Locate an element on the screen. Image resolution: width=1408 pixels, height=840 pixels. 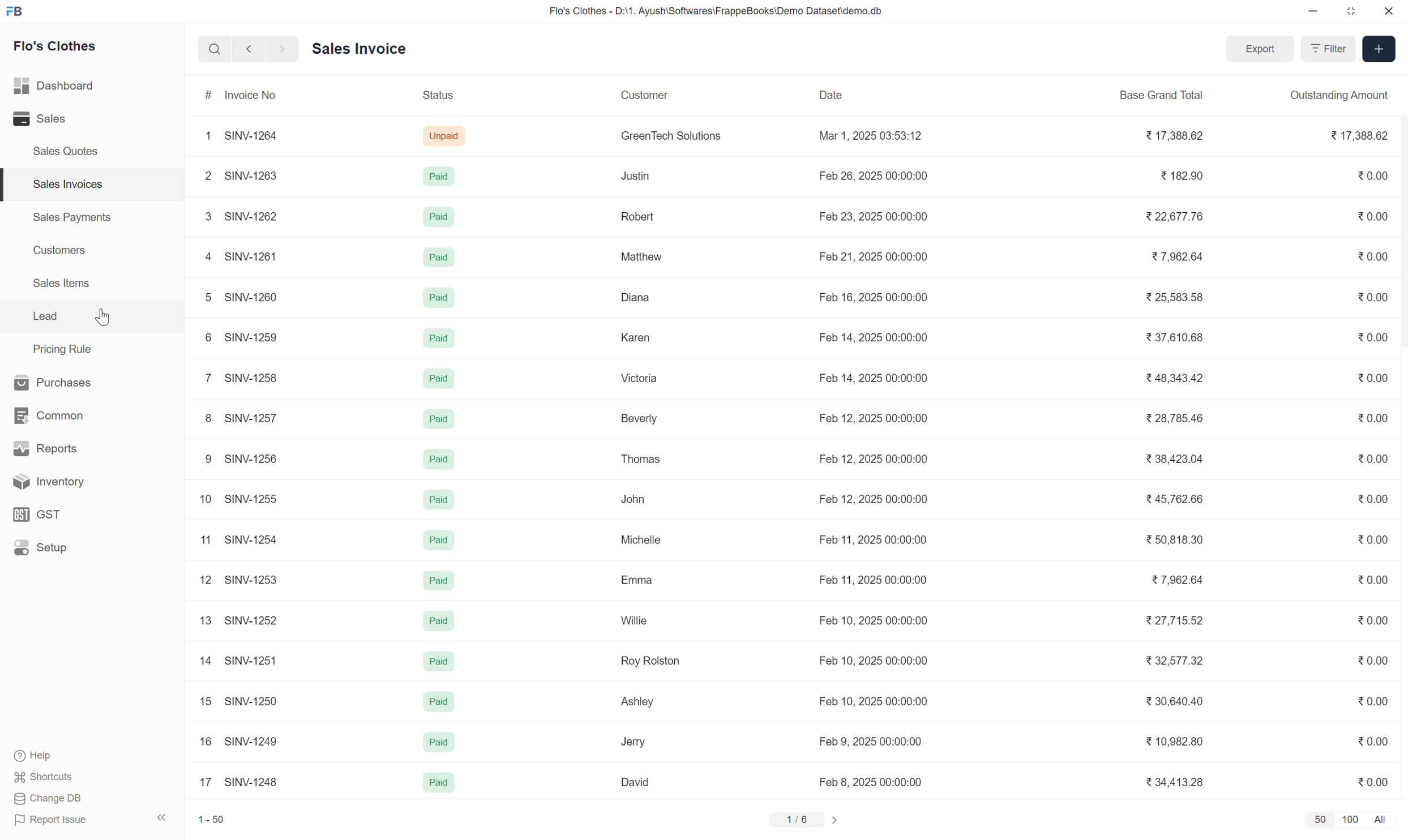
Paid is located at coordinates (441, 500).